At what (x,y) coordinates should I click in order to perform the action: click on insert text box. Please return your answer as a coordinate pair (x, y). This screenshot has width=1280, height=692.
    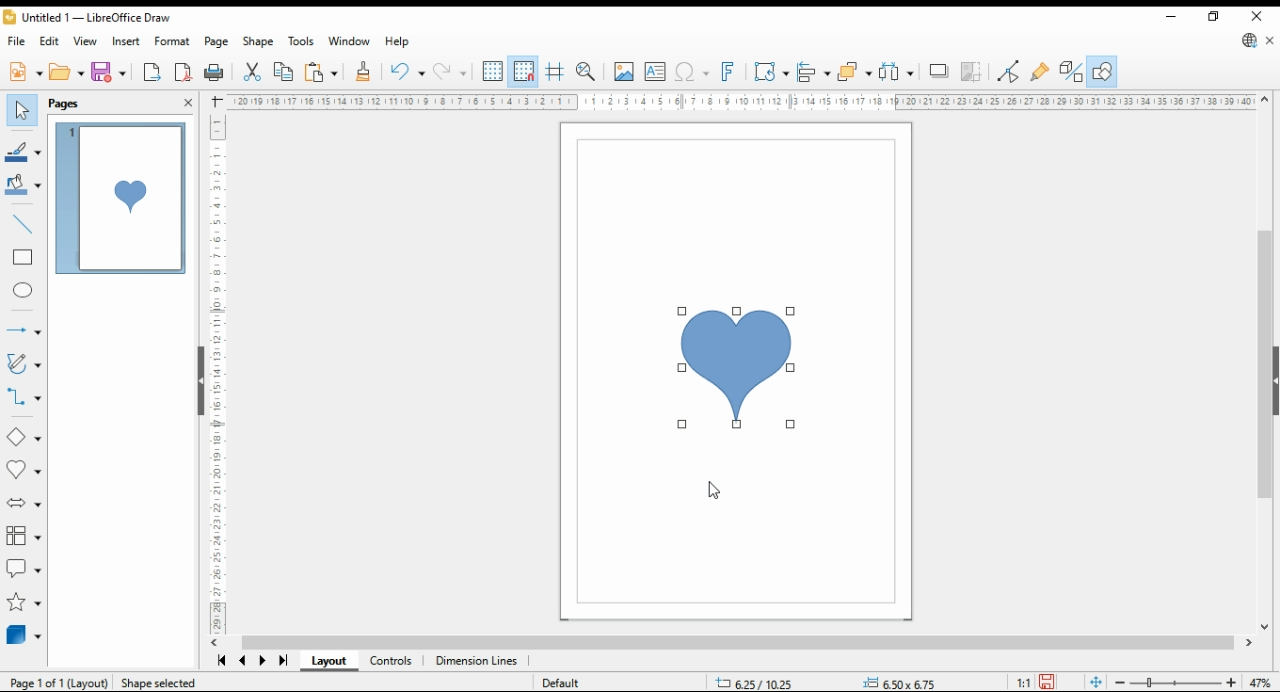
    Looking at the image, I should click on (656, 72).